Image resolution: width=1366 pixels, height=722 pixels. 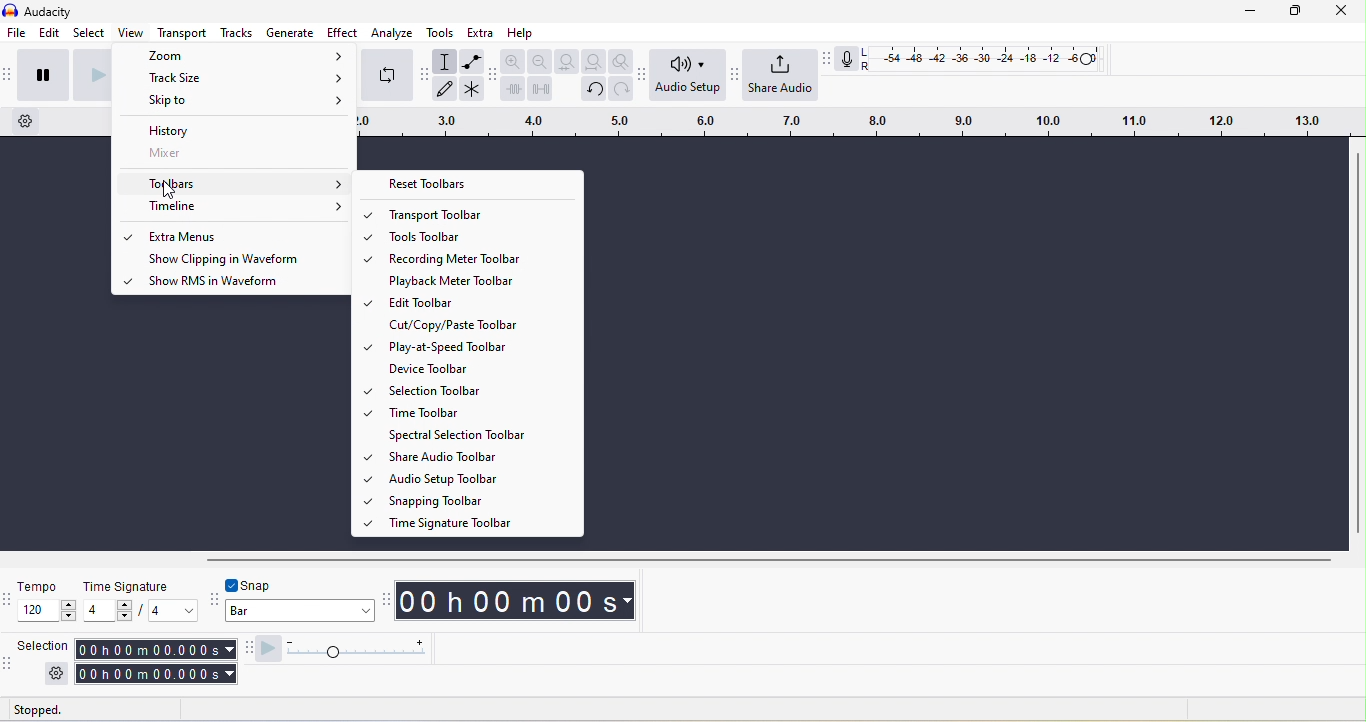 What do you see at coordinates (46, 610) in the screenshot?
I see `set tempo` at bounding box center [46, 610].